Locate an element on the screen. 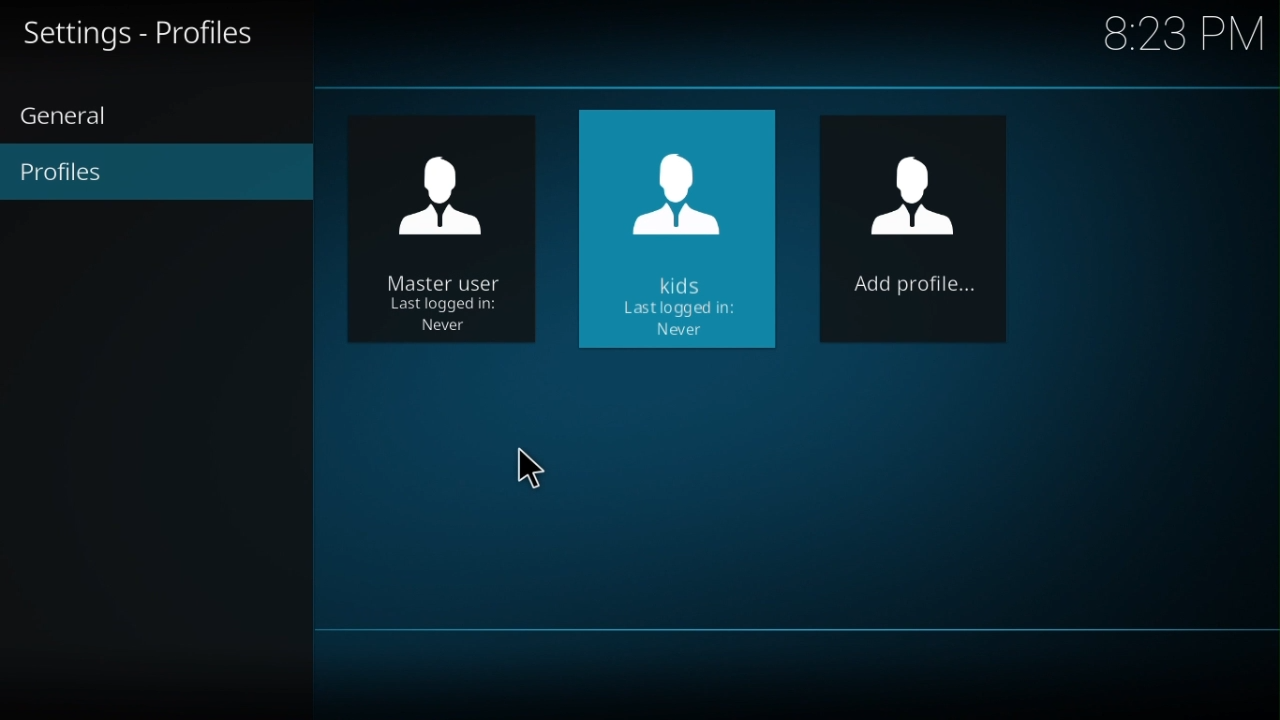 The width and height of the screenshot is (1280, 720). cursor is located at coordinates (535, 465).